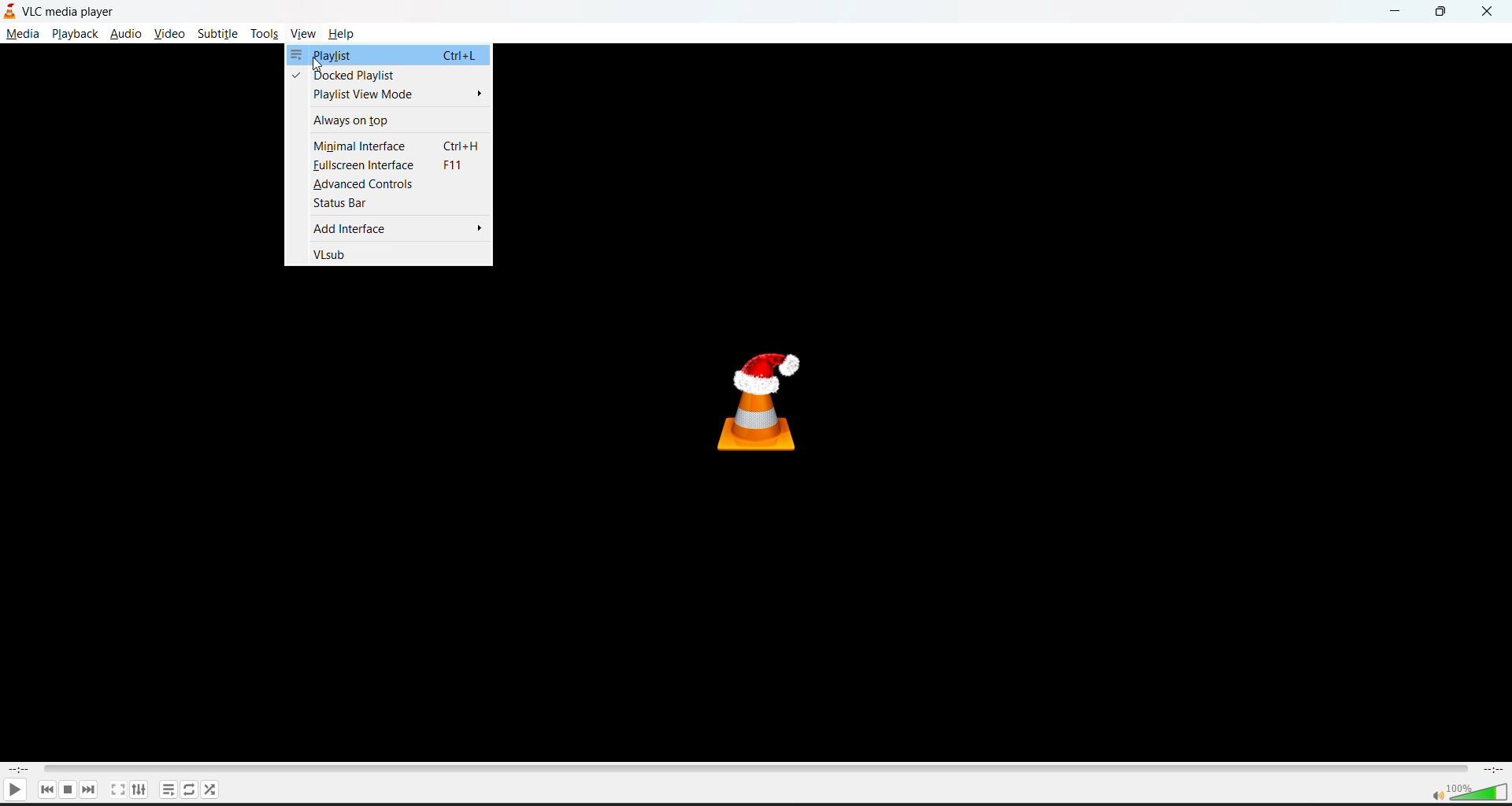 The image size is (1512, 806). I want to click on media, so click(24, 34).